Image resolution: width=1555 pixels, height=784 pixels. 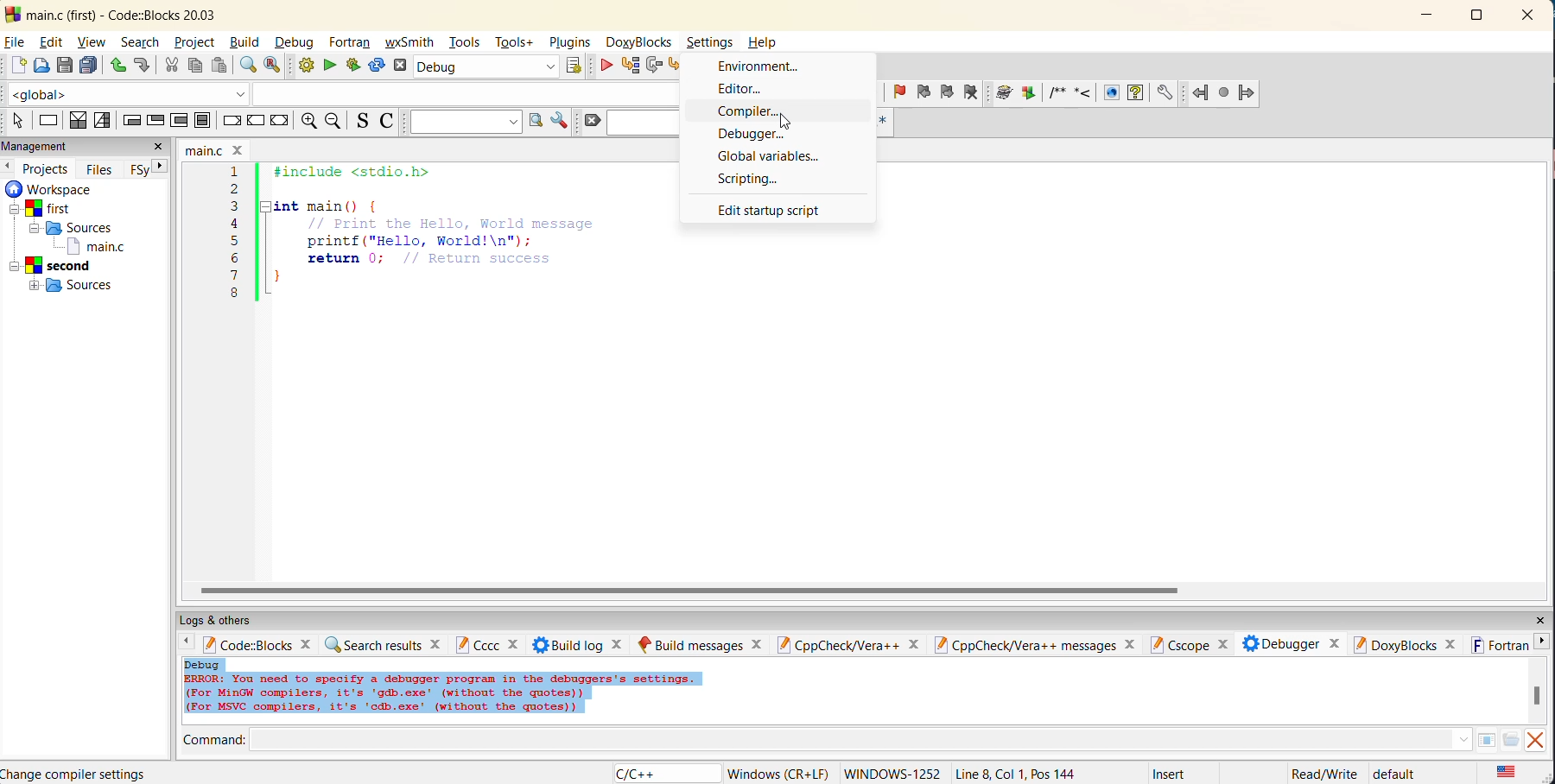 What do you see at coordinates (852, 644) in the screenshot?
I see `cppcheck/vera++` at bounding box center [852, 644].